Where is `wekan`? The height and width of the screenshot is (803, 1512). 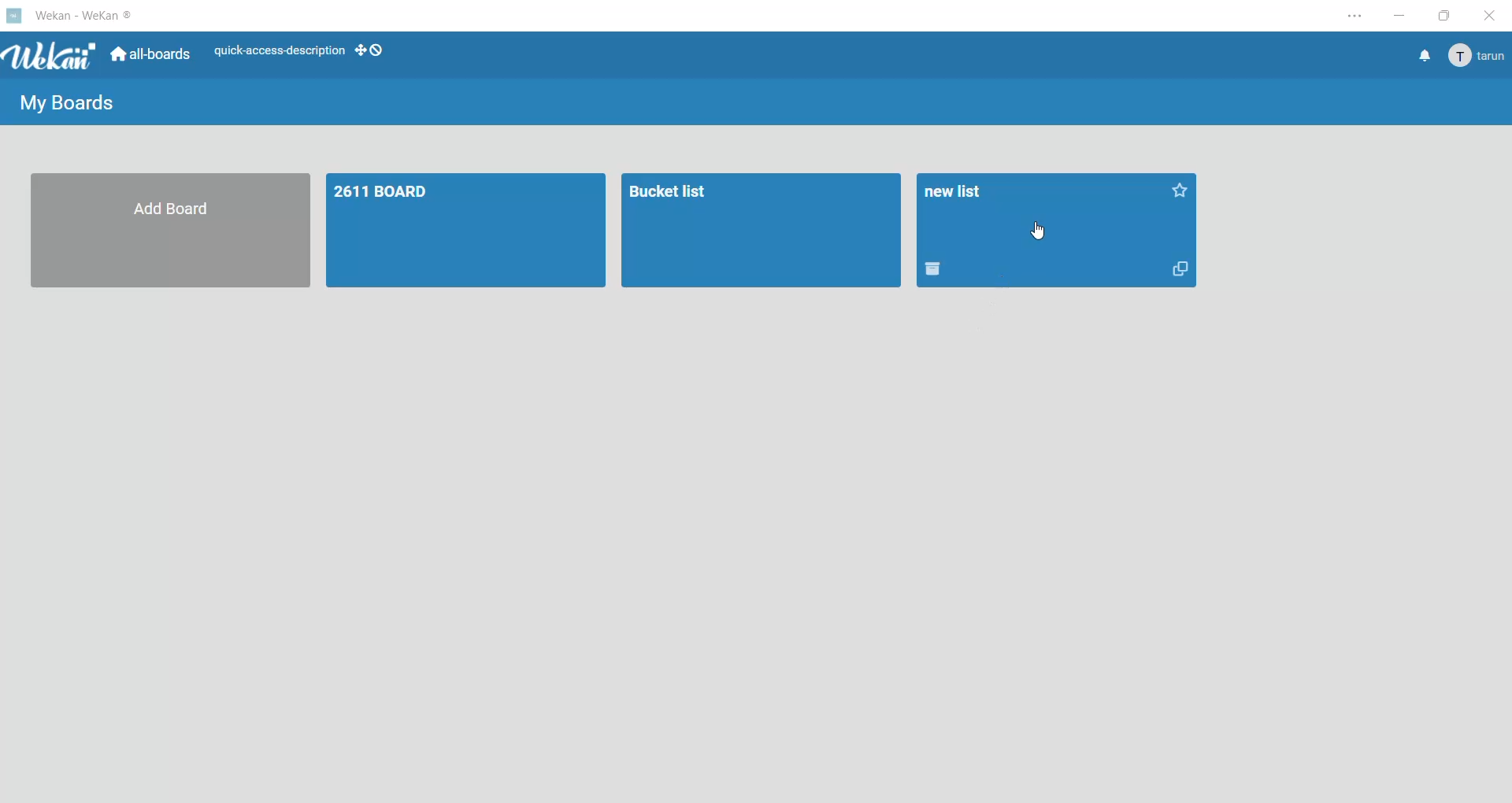 wekan is located at coordinates (54, 57).